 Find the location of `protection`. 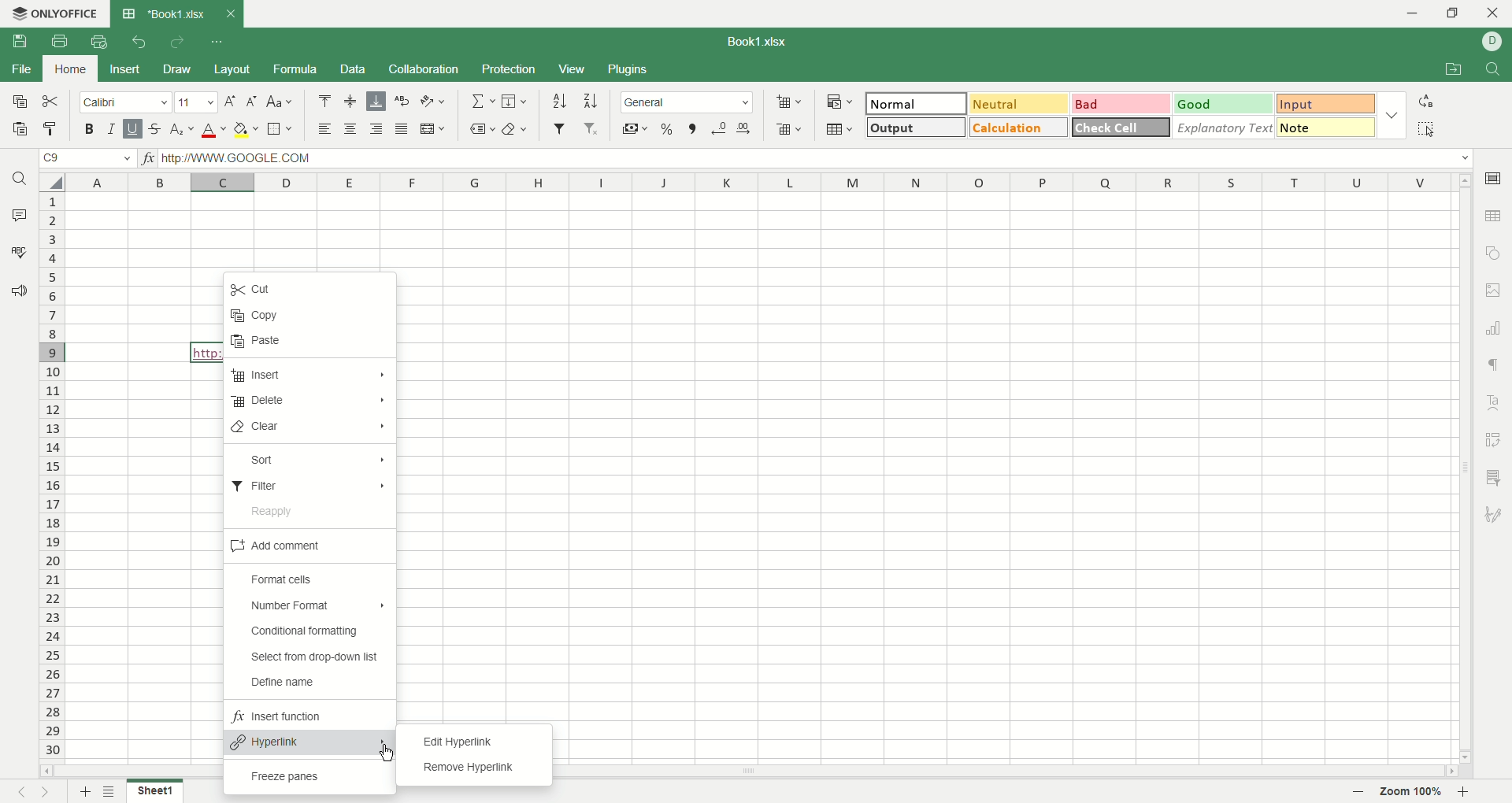

protection is located at coordinates (507, 69).